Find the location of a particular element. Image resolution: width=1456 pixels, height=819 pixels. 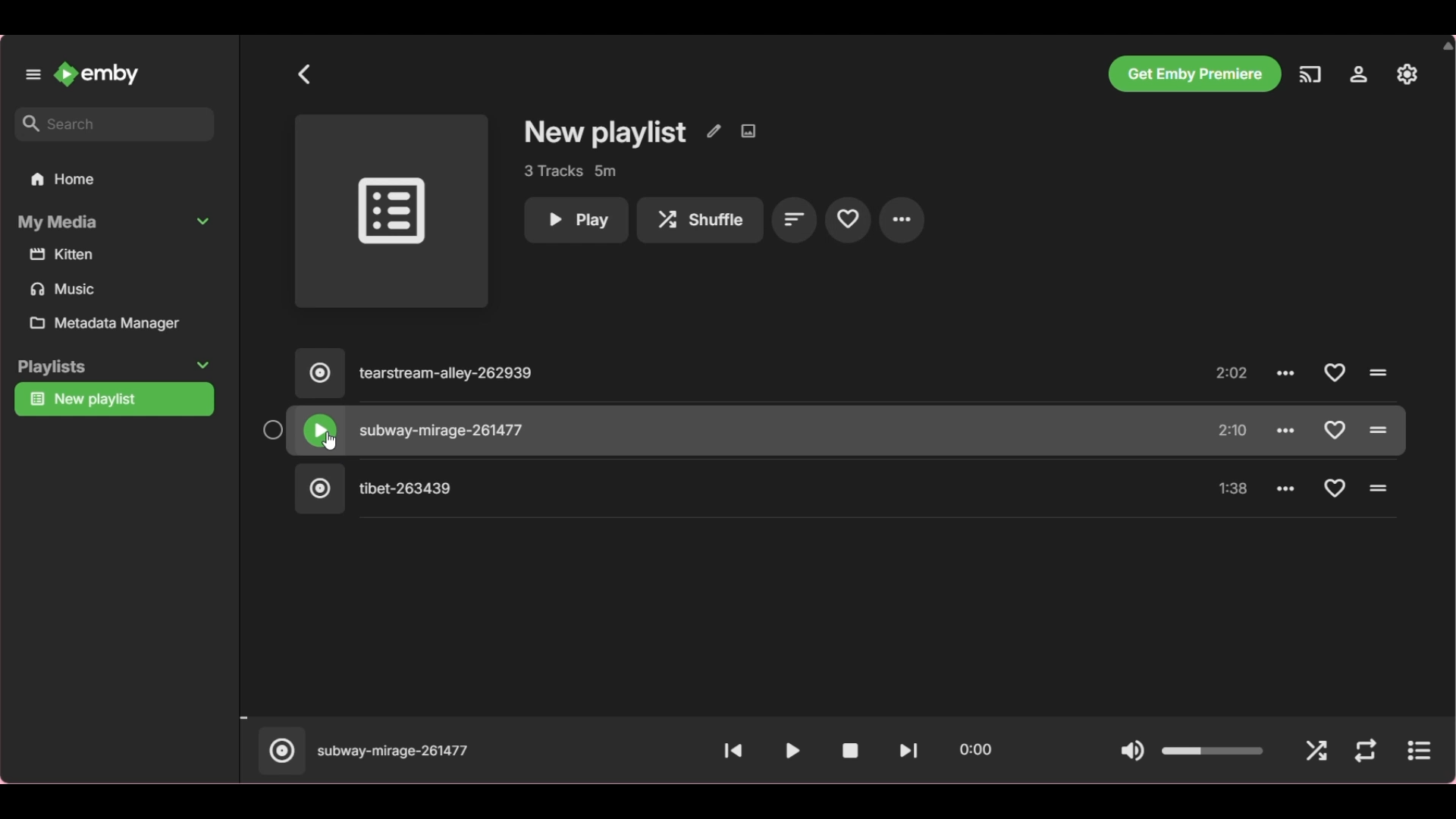

Multi-select is located at coordinates (271, 430).